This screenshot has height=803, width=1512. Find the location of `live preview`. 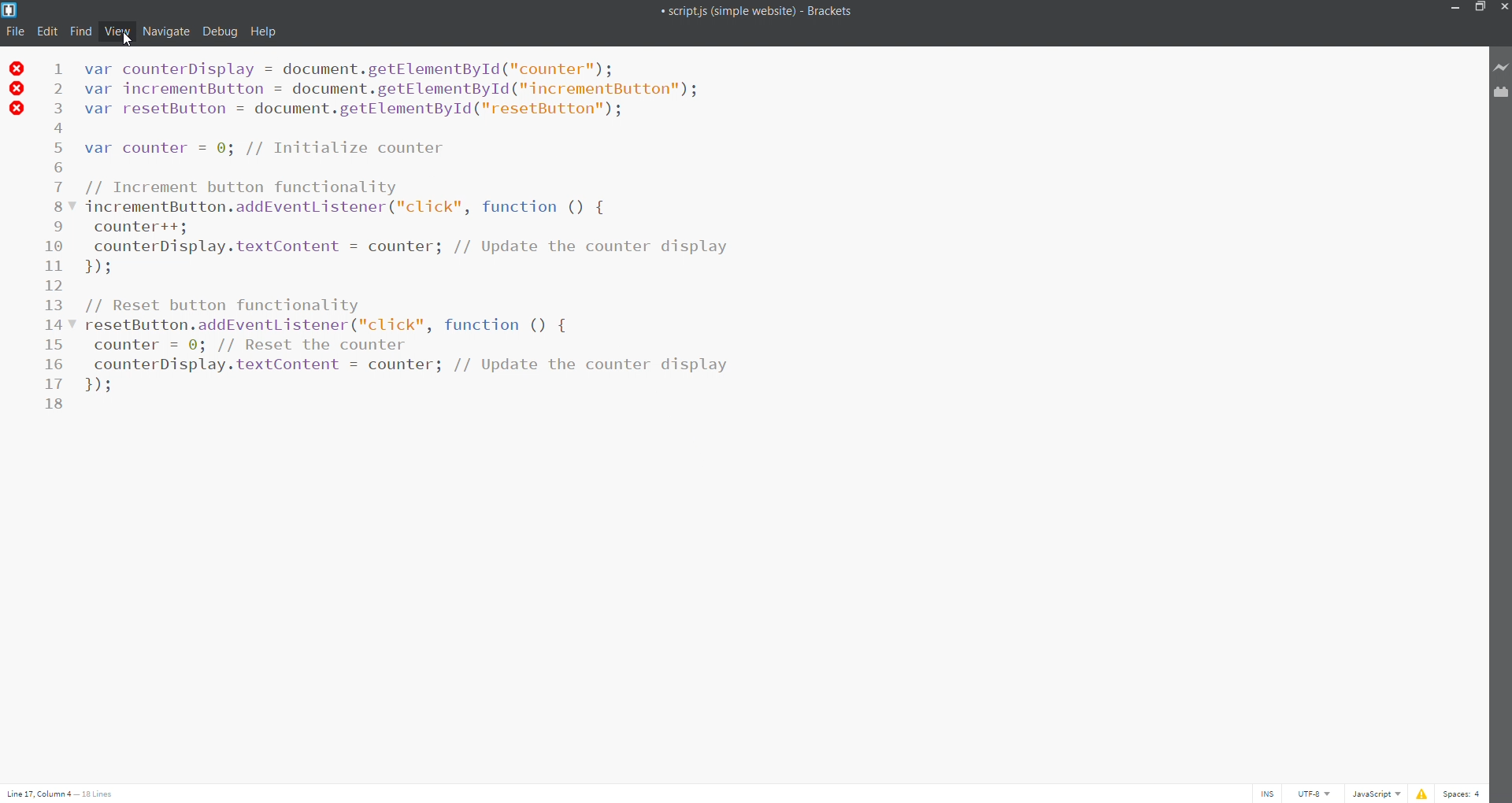

live preview is located at coordinates (1502, 68).